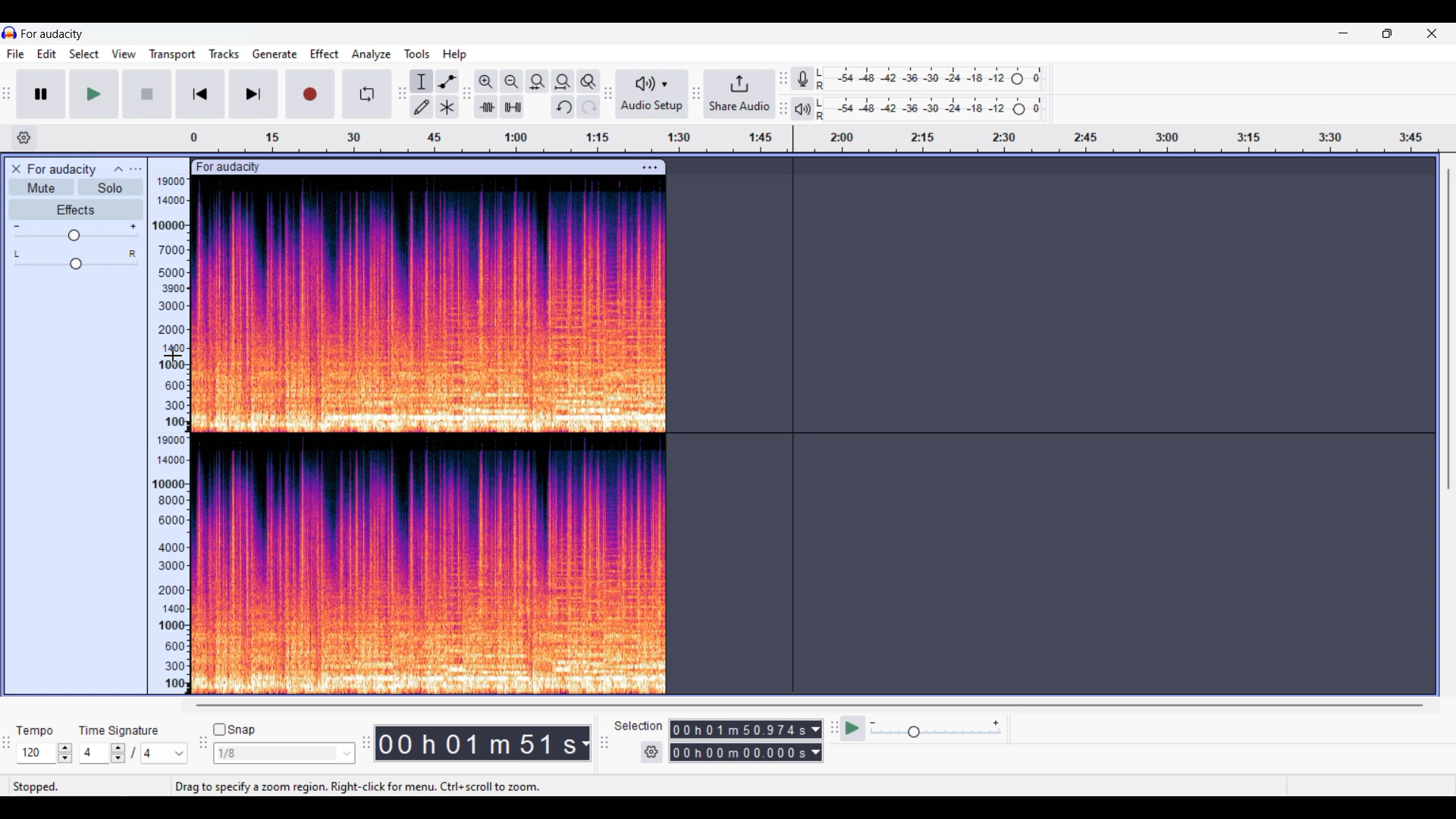  I want to click on Record meter, so click(801, 78).